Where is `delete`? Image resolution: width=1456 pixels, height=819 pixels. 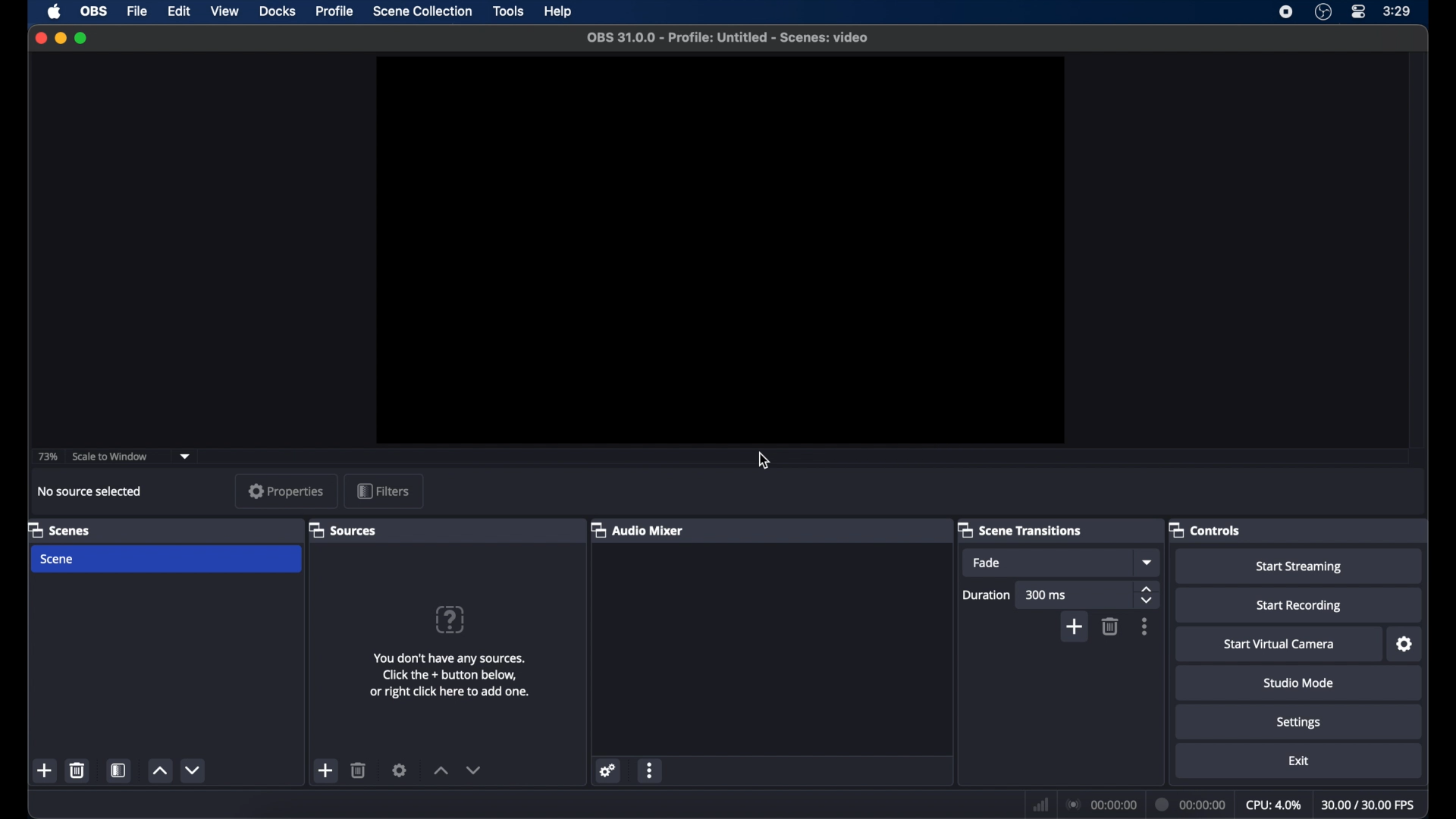 delete is located at coordinates (77, 770).